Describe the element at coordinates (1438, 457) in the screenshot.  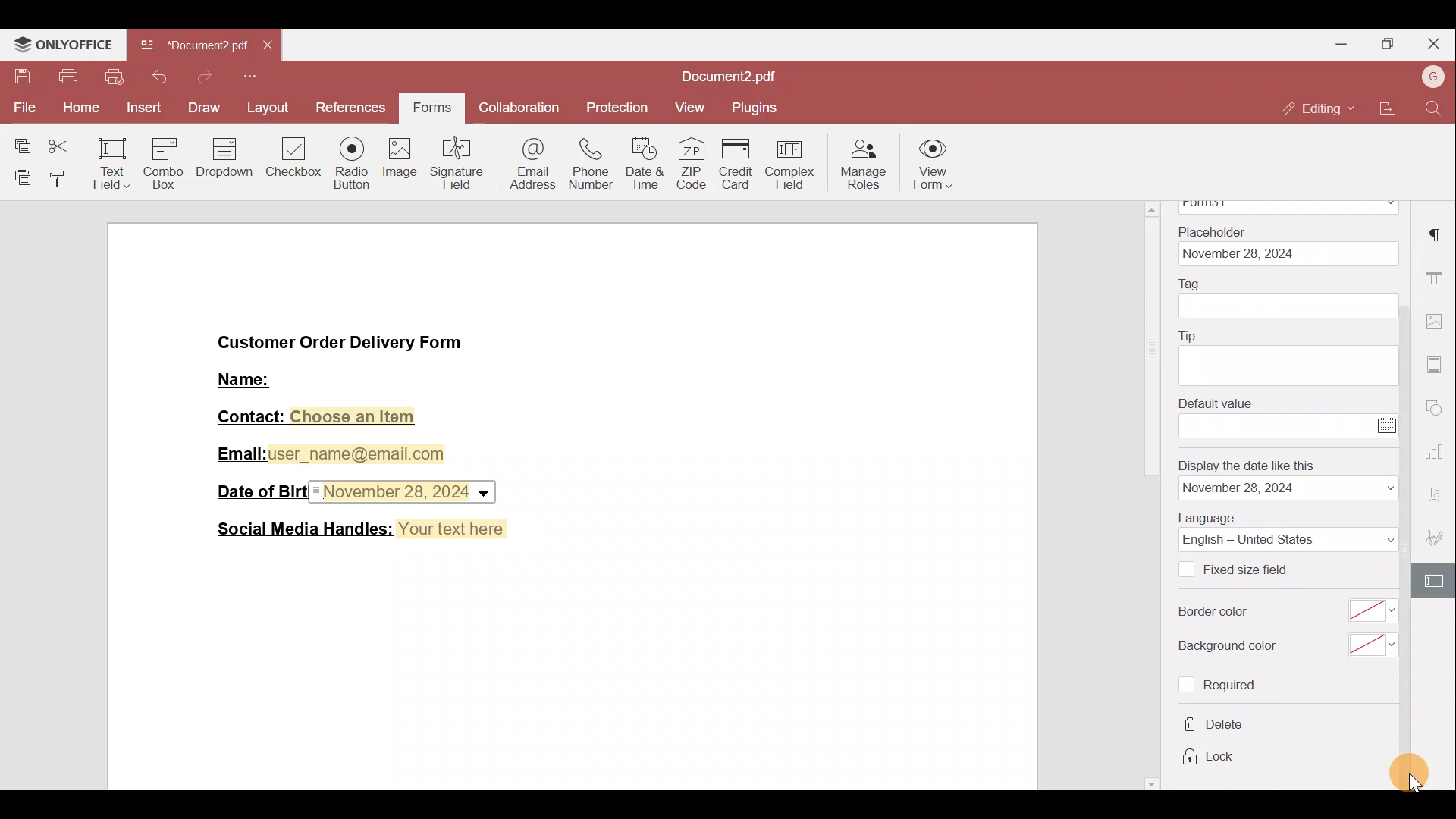
I see `Chart settings` at that location.